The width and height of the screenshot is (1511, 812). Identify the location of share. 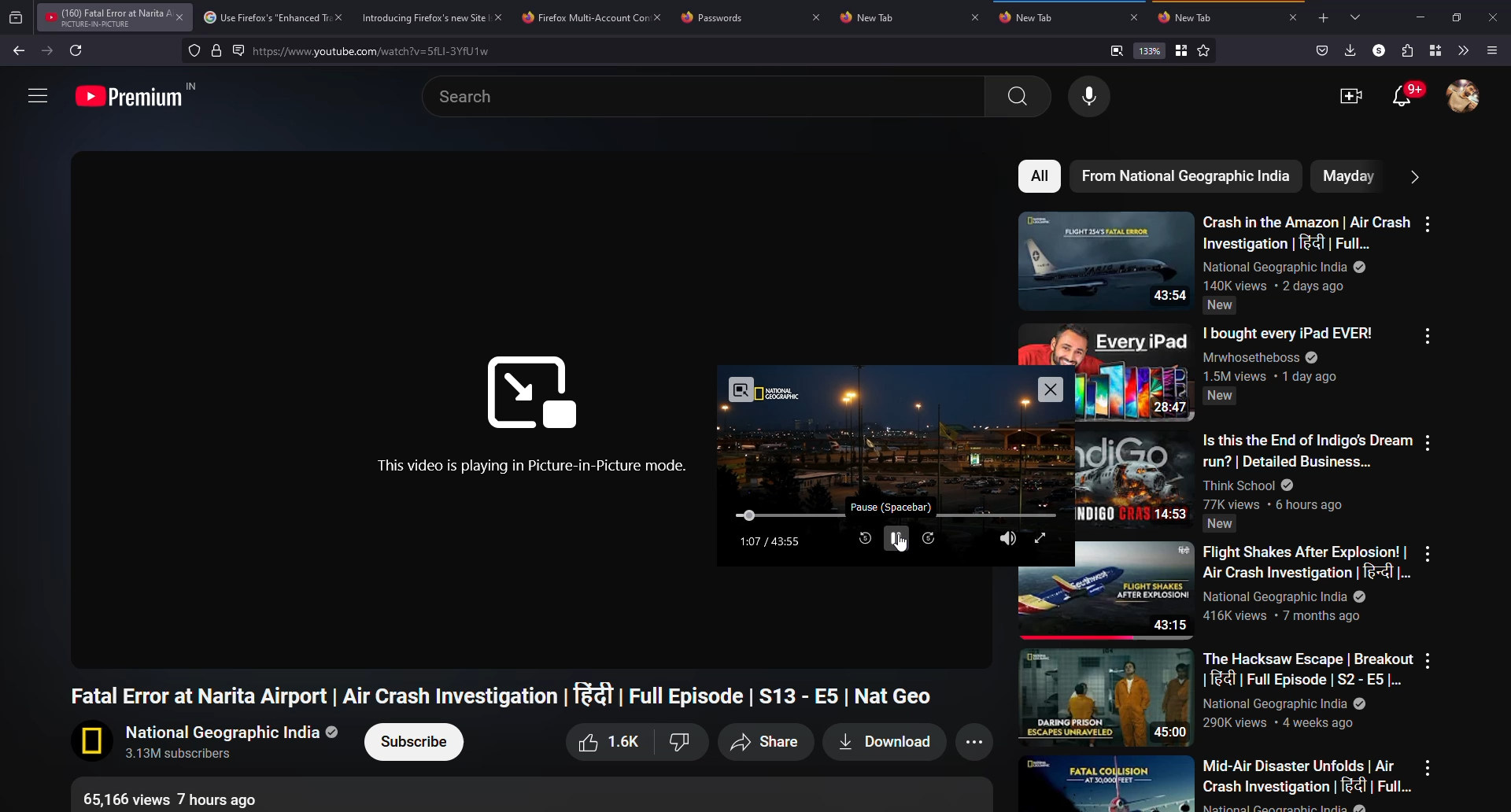
(763, 743).